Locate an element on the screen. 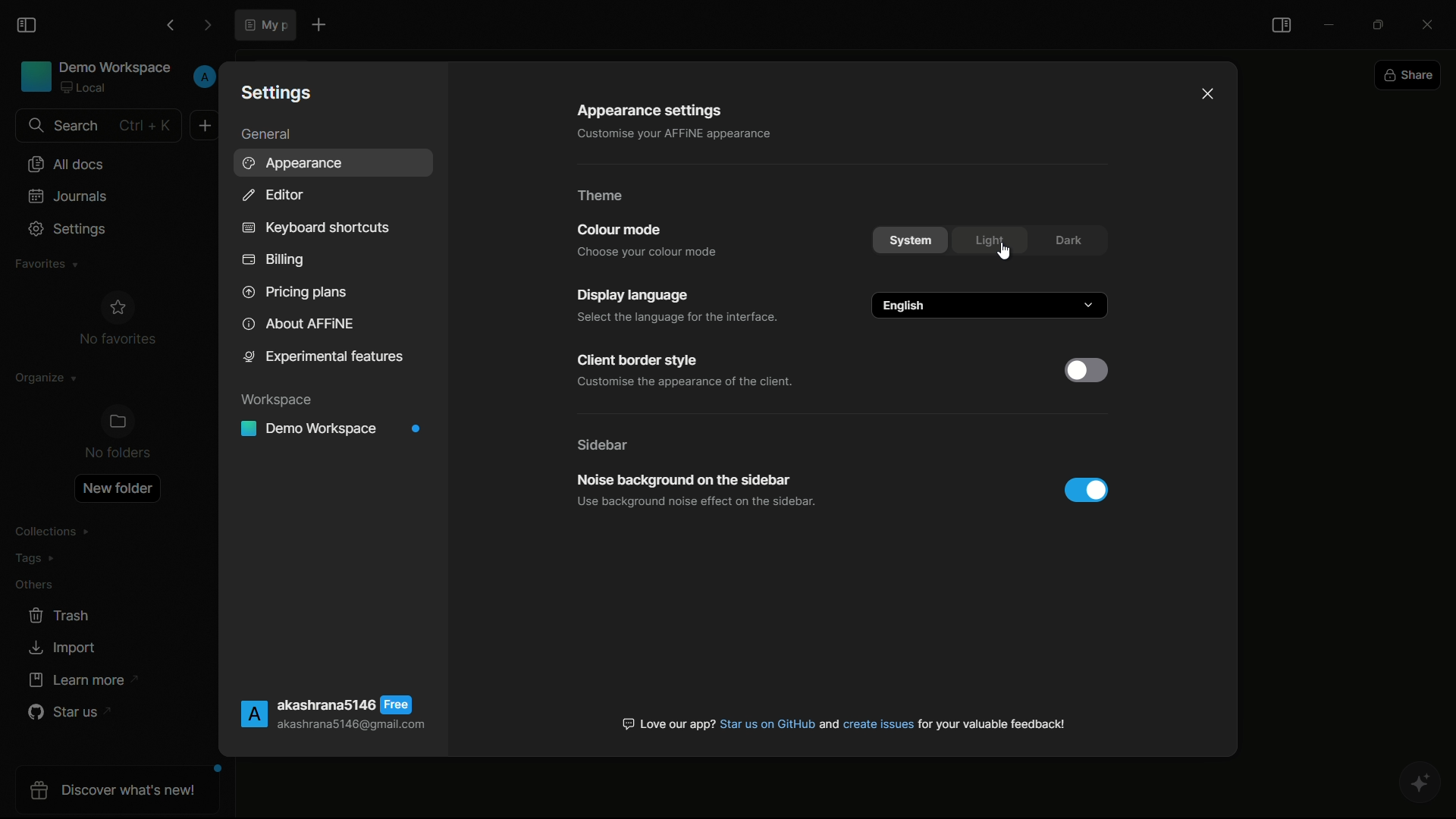 The width and height of the screenshot is (1456, 819). Free is located at coordinates (397, 704).